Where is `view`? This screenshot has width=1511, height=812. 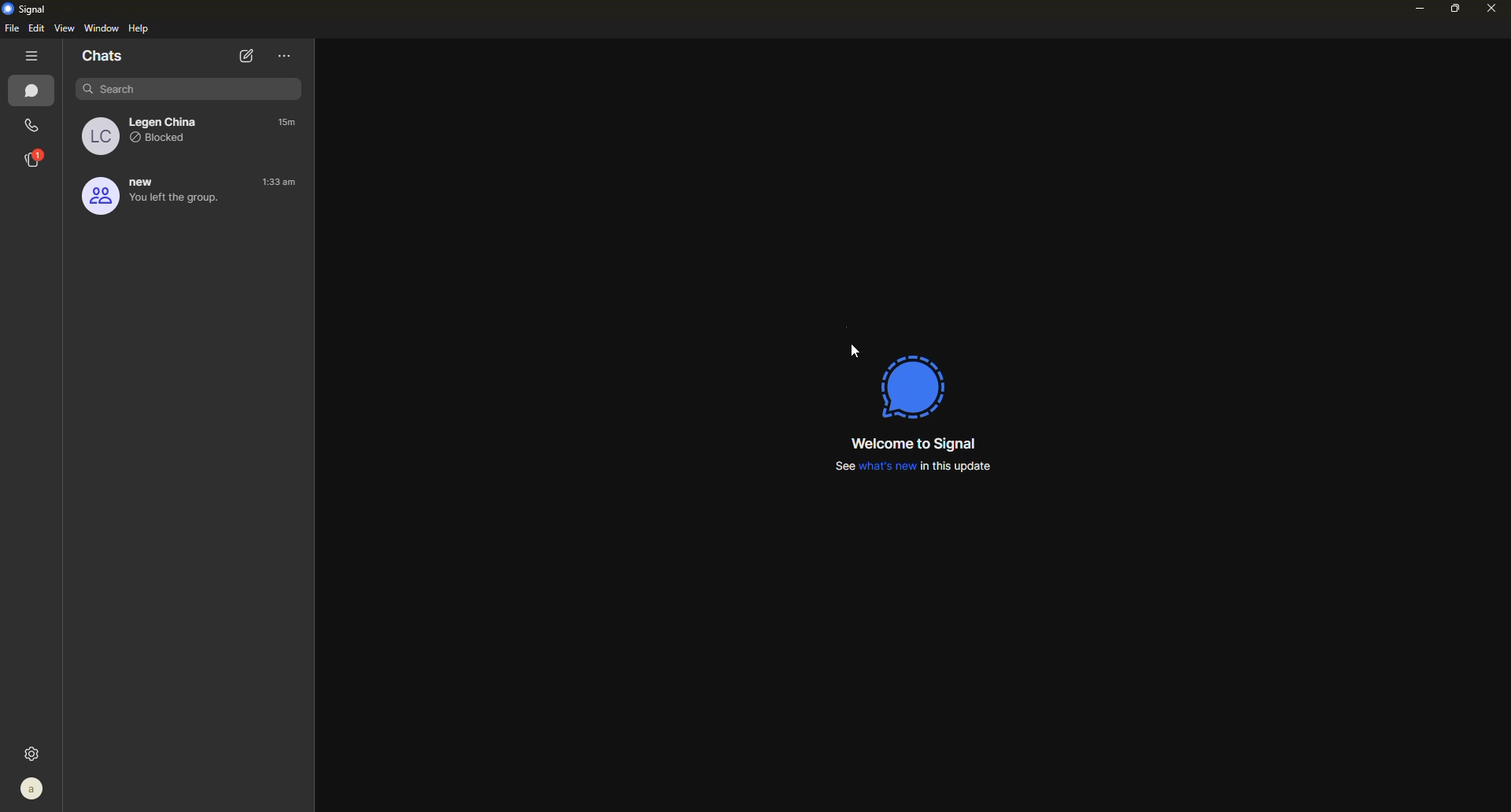
view is located at coordinates (66, 28).